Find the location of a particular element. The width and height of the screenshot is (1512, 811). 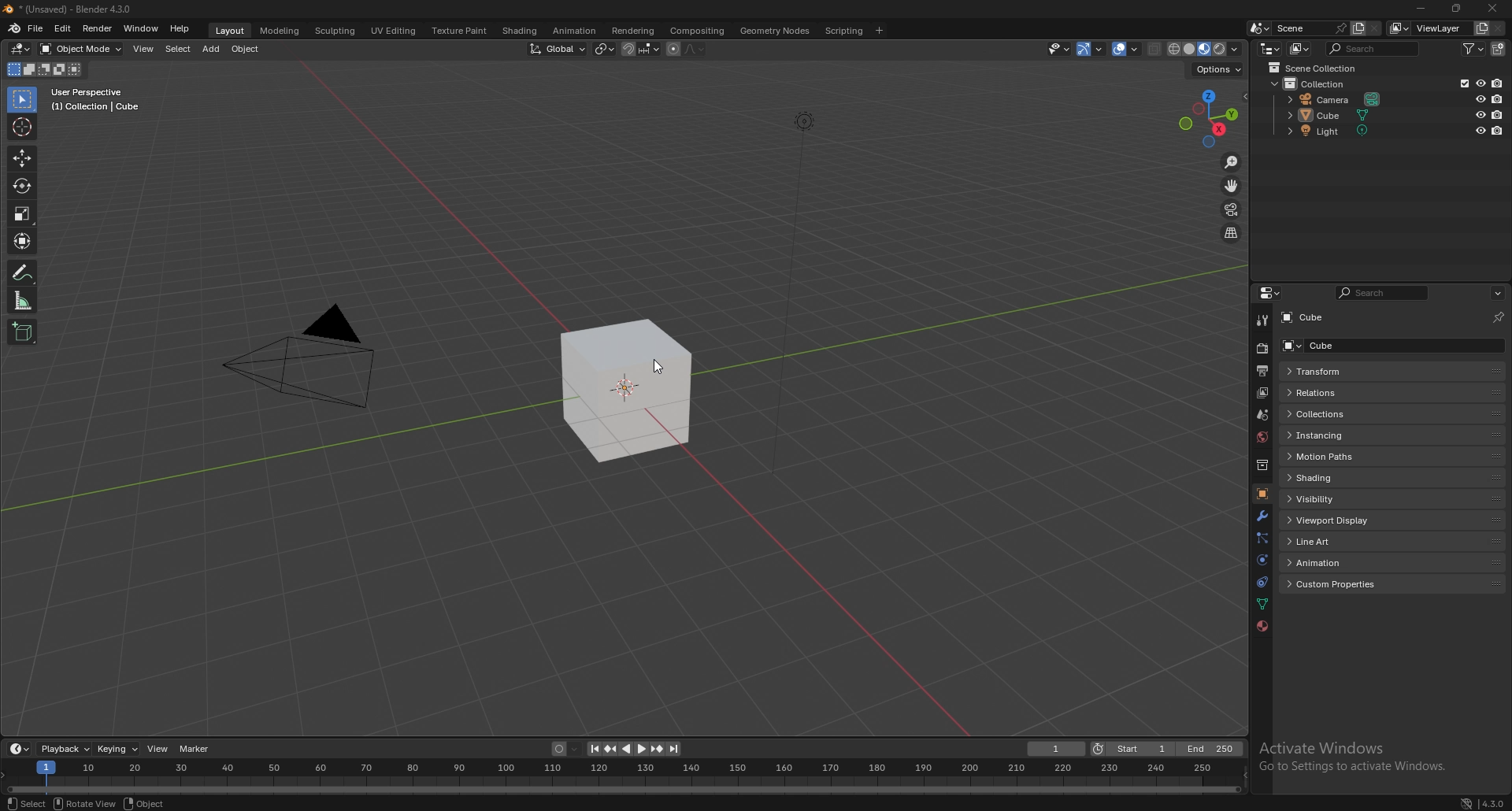

rendering is located at coordinates (632, 31).